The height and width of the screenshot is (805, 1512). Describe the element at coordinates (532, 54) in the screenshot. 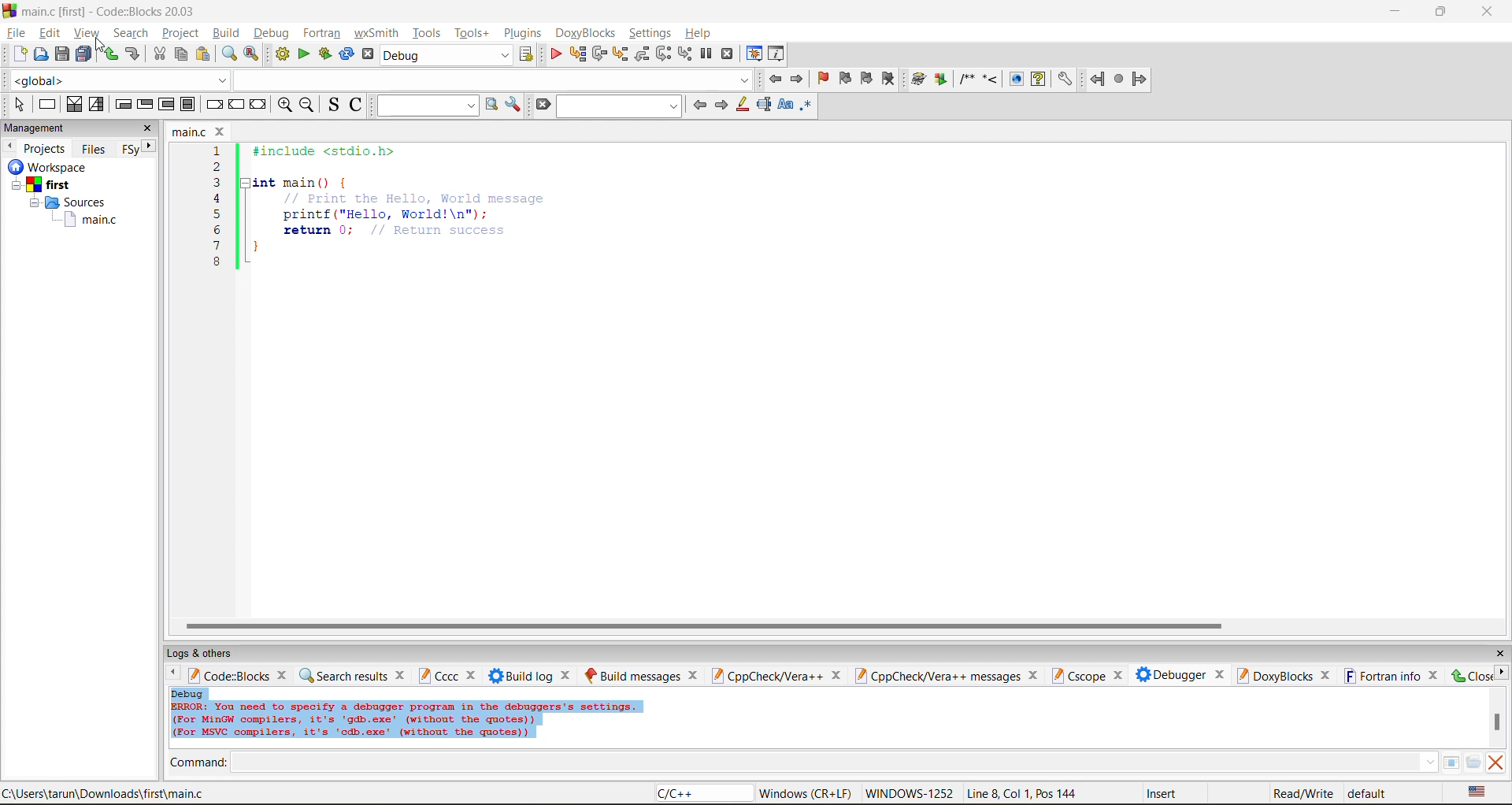

I see `show the select target dialog` at that location.